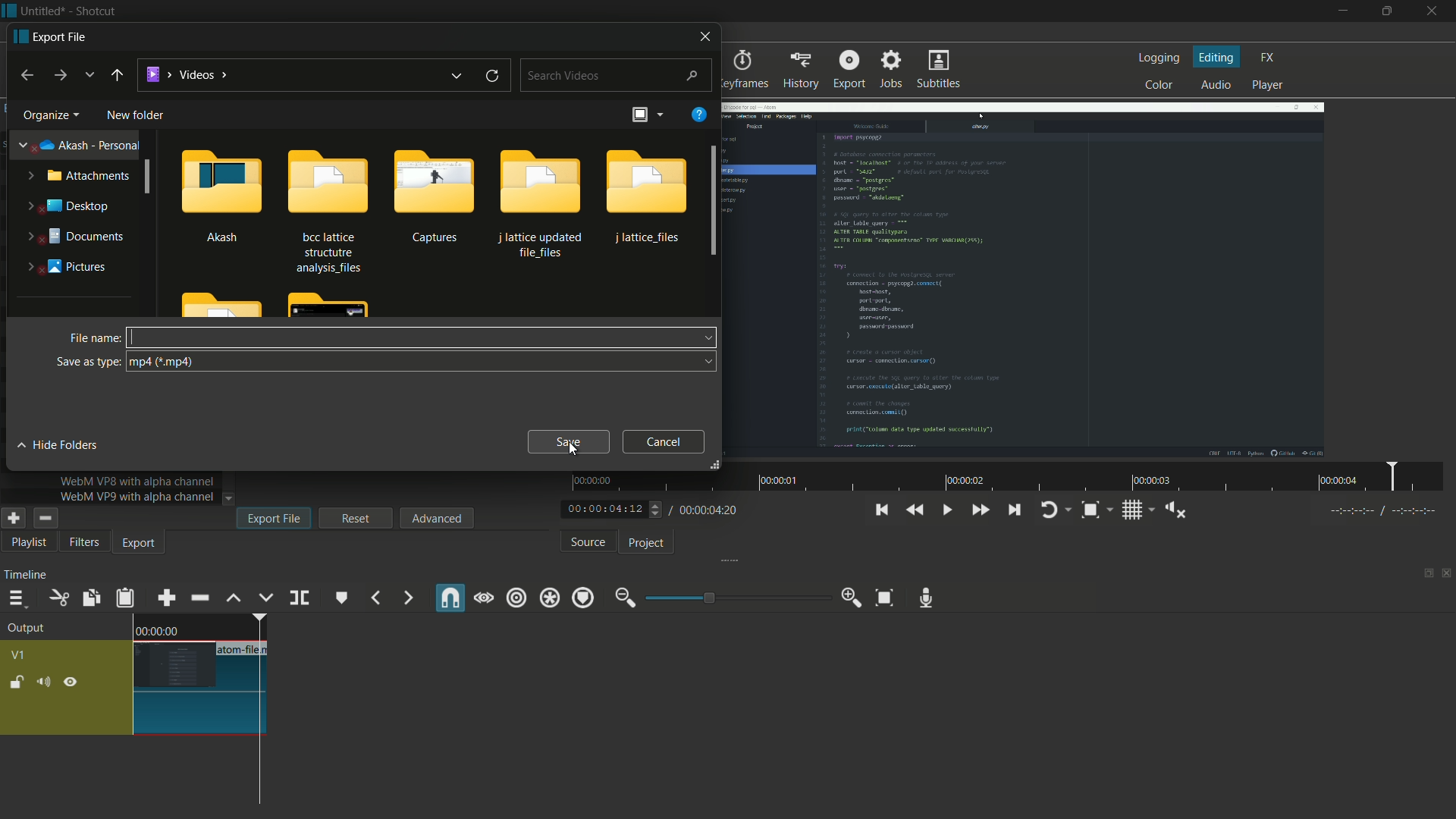 The width and height of the screenshot is (1456, 819). I want to click on file type dropdown, so click(420, 362).